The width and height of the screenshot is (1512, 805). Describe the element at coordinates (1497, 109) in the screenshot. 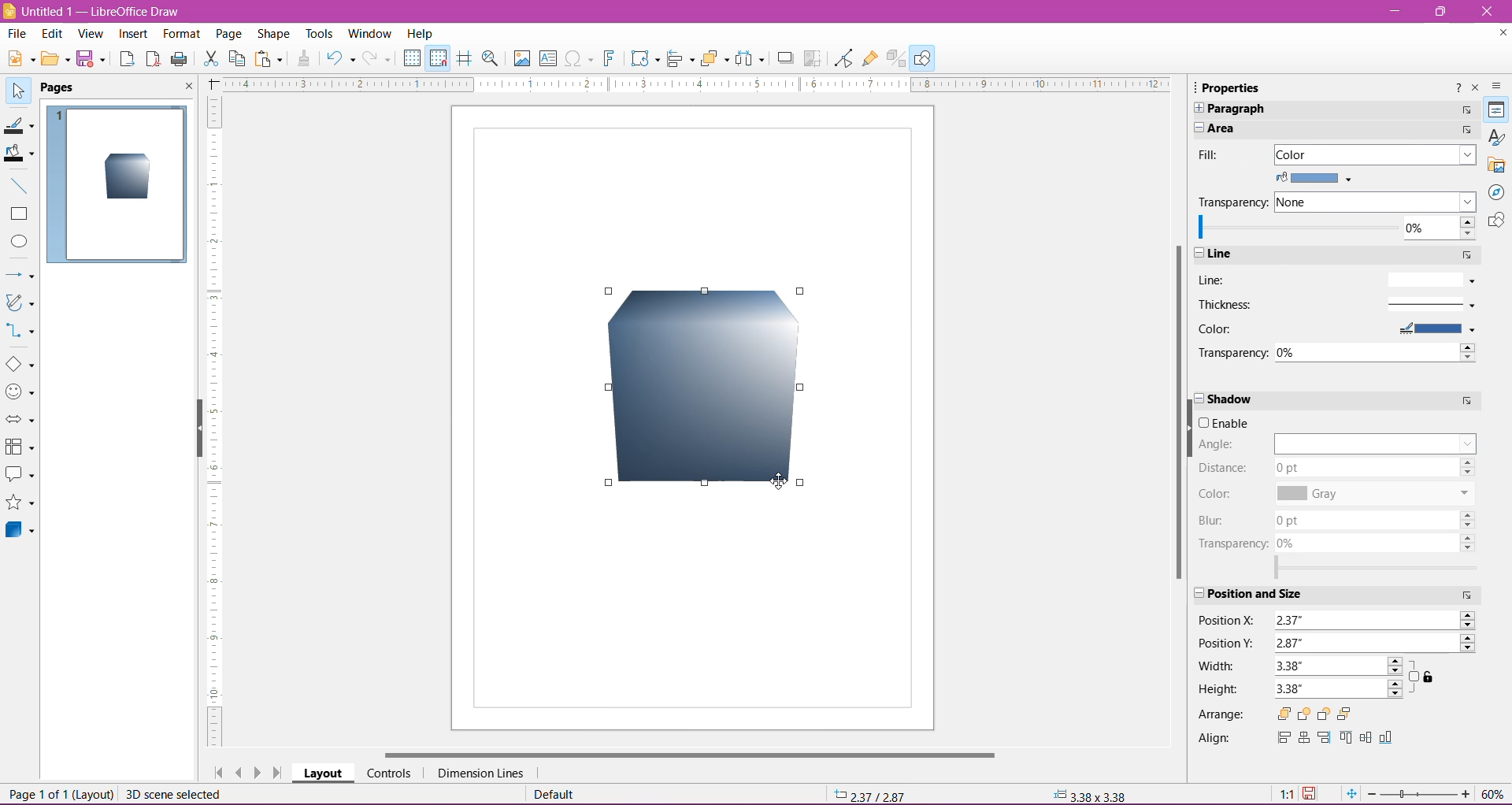

I see `Properties` at that location.